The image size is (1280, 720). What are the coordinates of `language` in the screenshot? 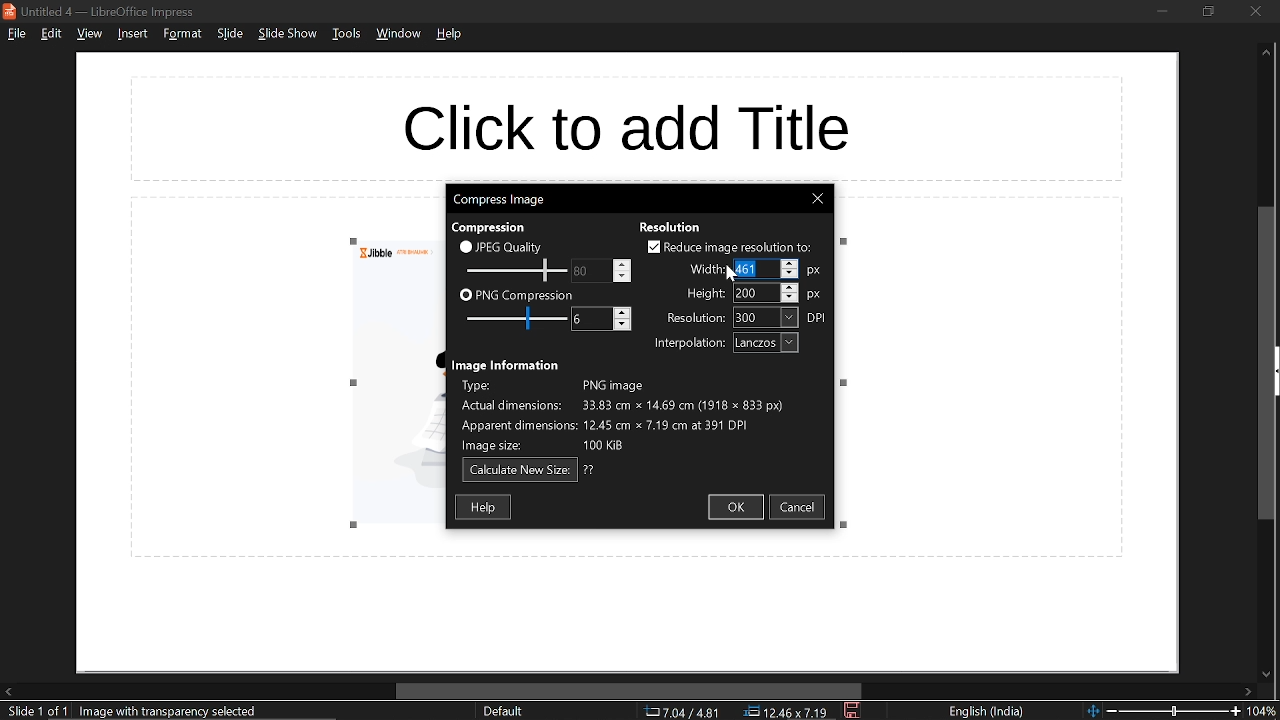 It's located at (989, 712).